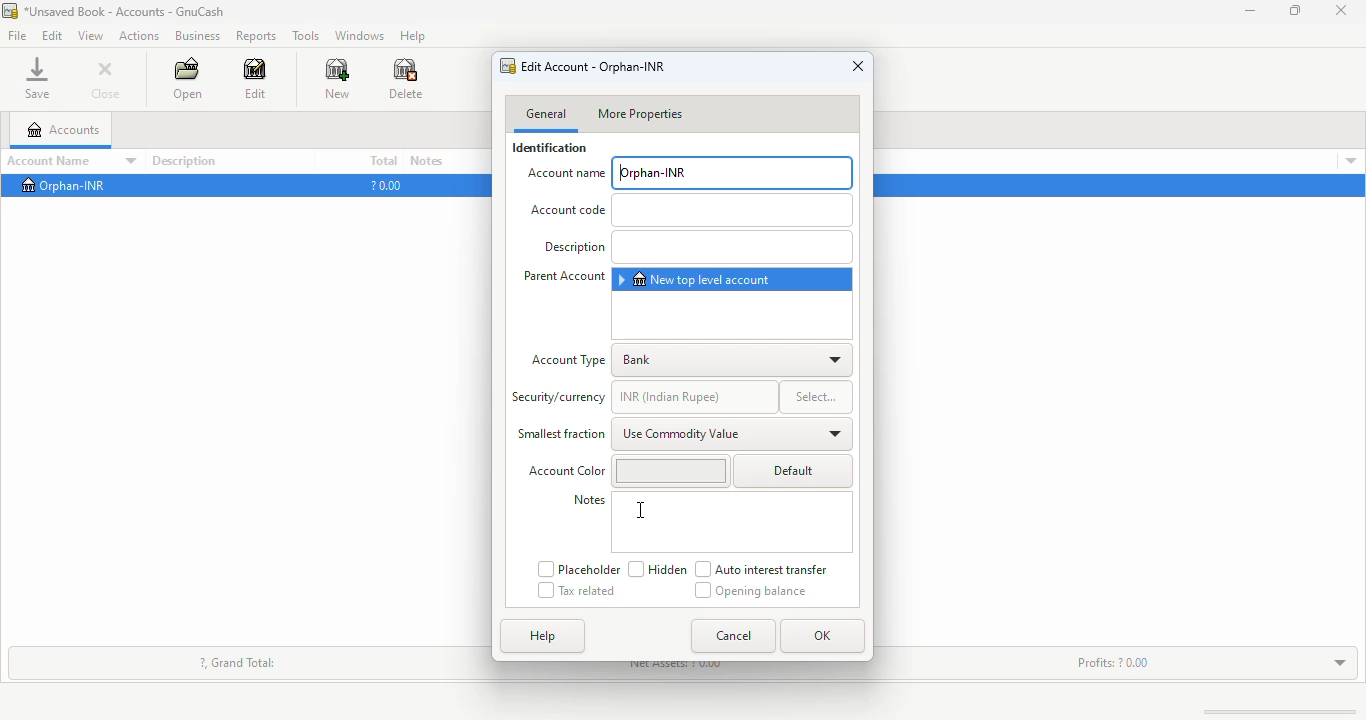 The image size is (1366, 720). I want to click on account name, so click(565, 175).